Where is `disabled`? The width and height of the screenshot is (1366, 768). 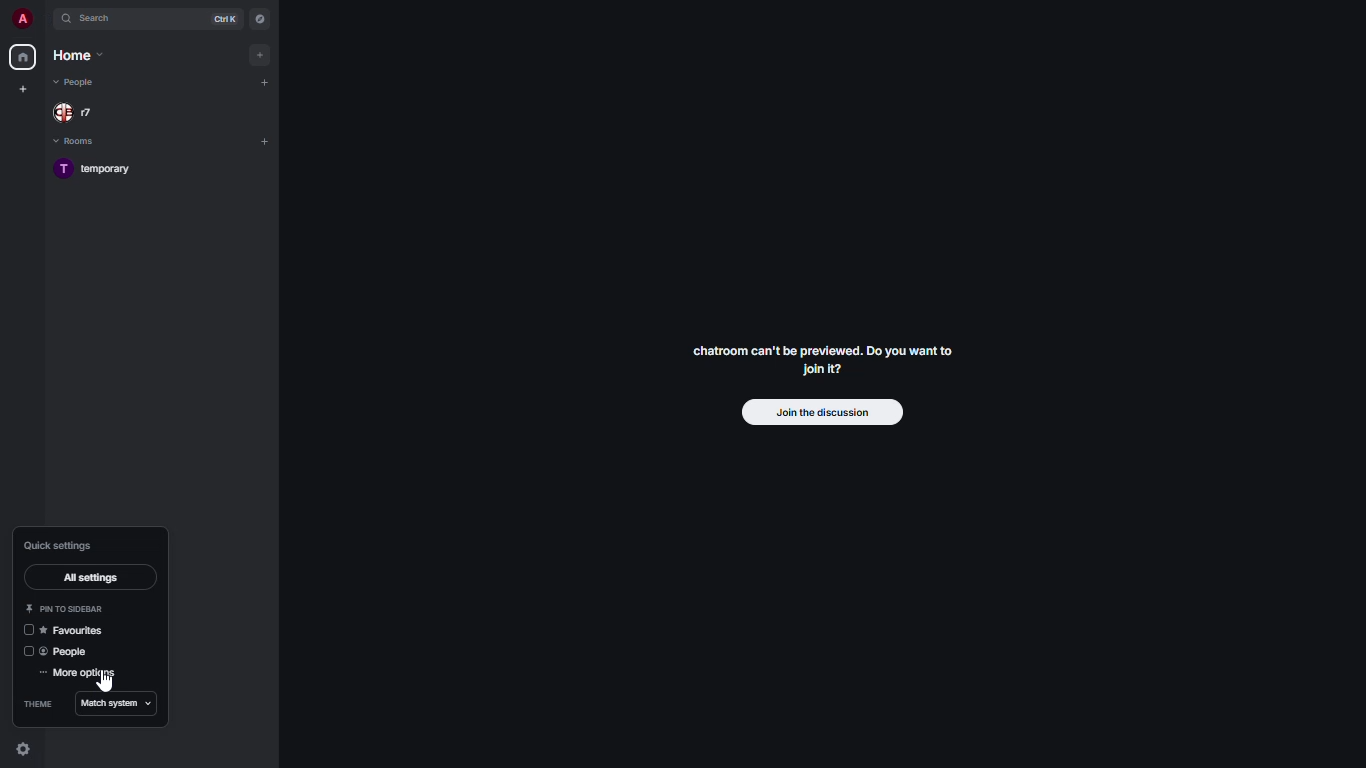
disabled is located at coordinates (26, 648).